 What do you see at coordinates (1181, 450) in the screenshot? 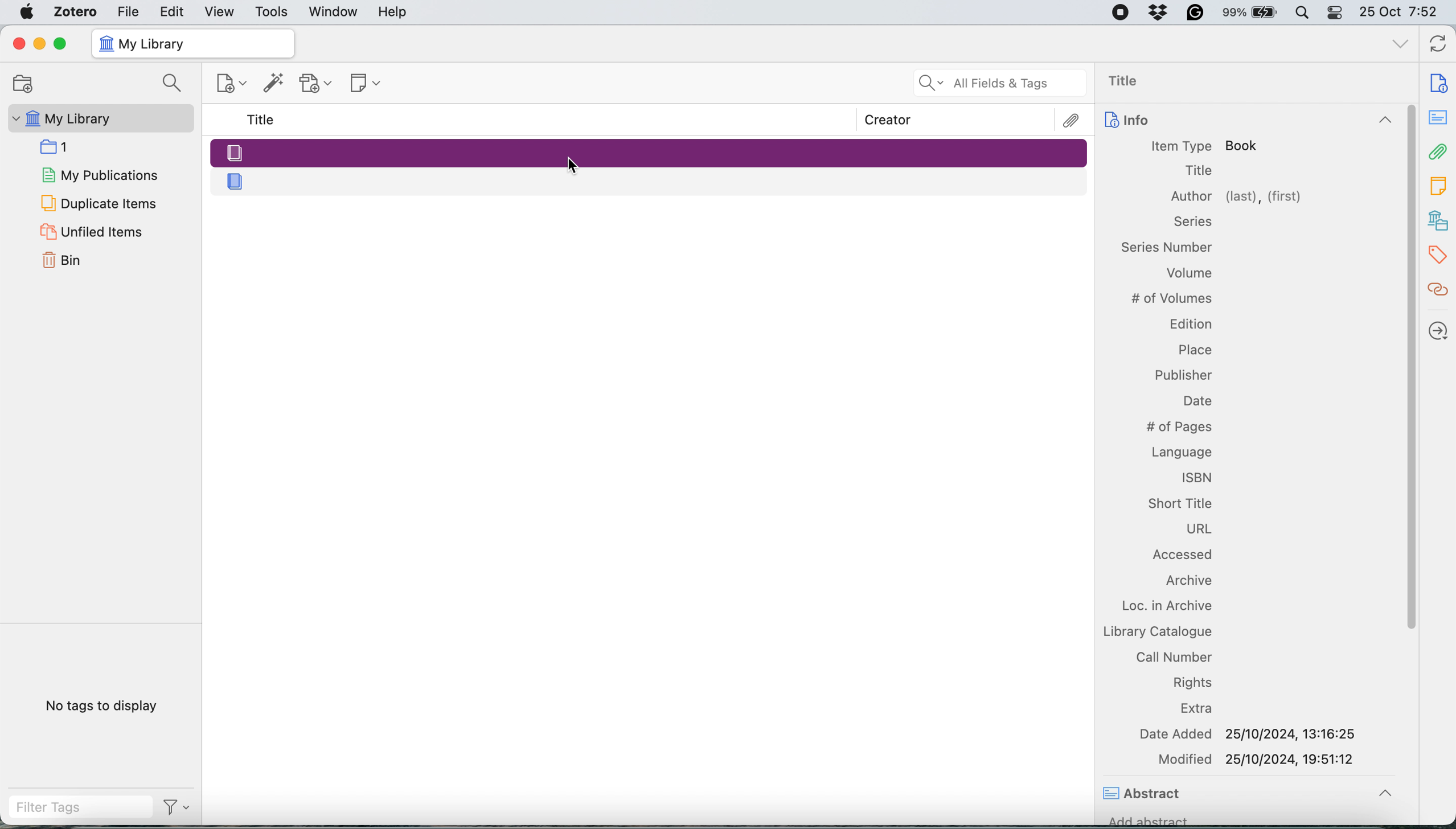
I see `Language` at bounding box center [1181, 450].